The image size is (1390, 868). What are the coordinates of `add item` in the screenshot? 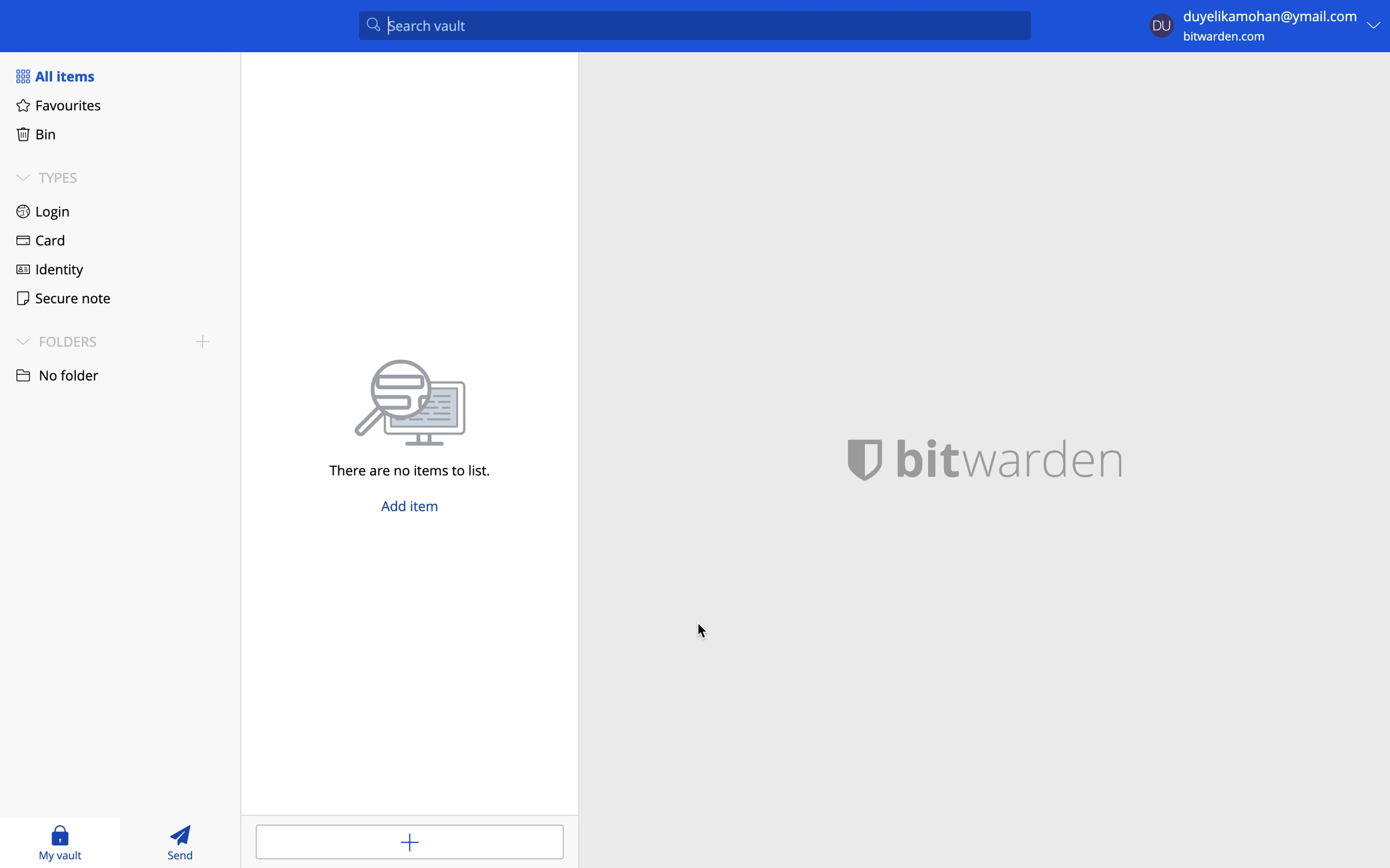 It's located at (411, 507).